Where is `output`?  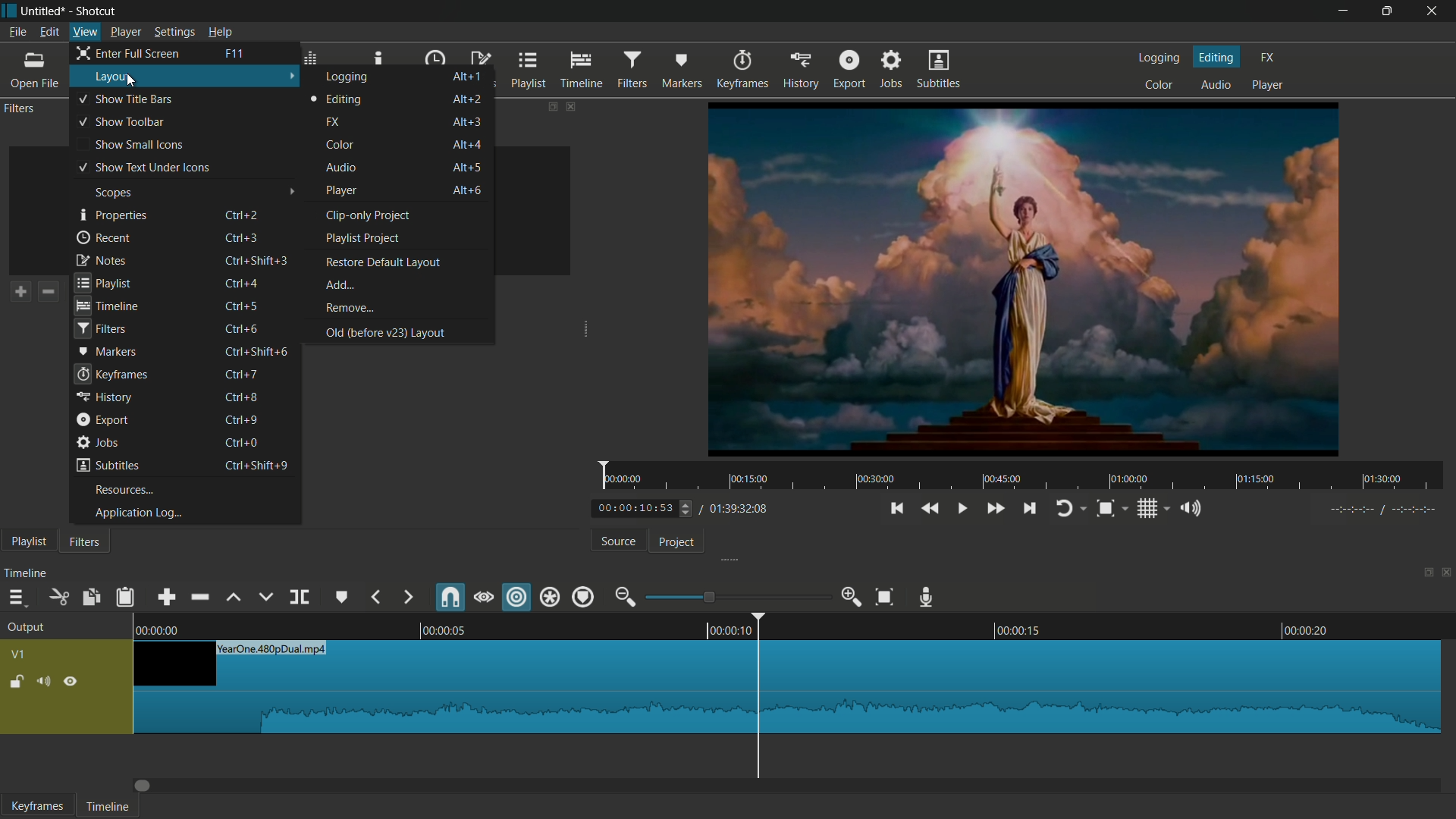
output is located at coordinates (26, 628).